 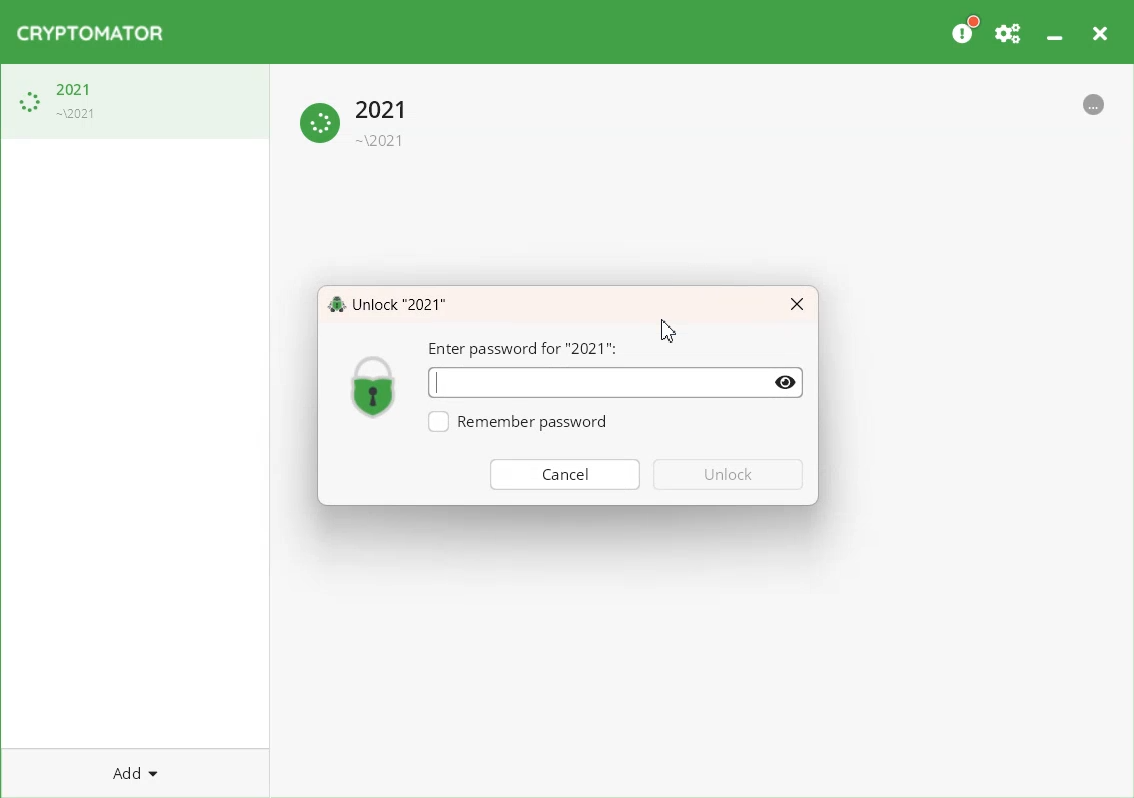 I want to click on More, so click(x=1094, y=102).